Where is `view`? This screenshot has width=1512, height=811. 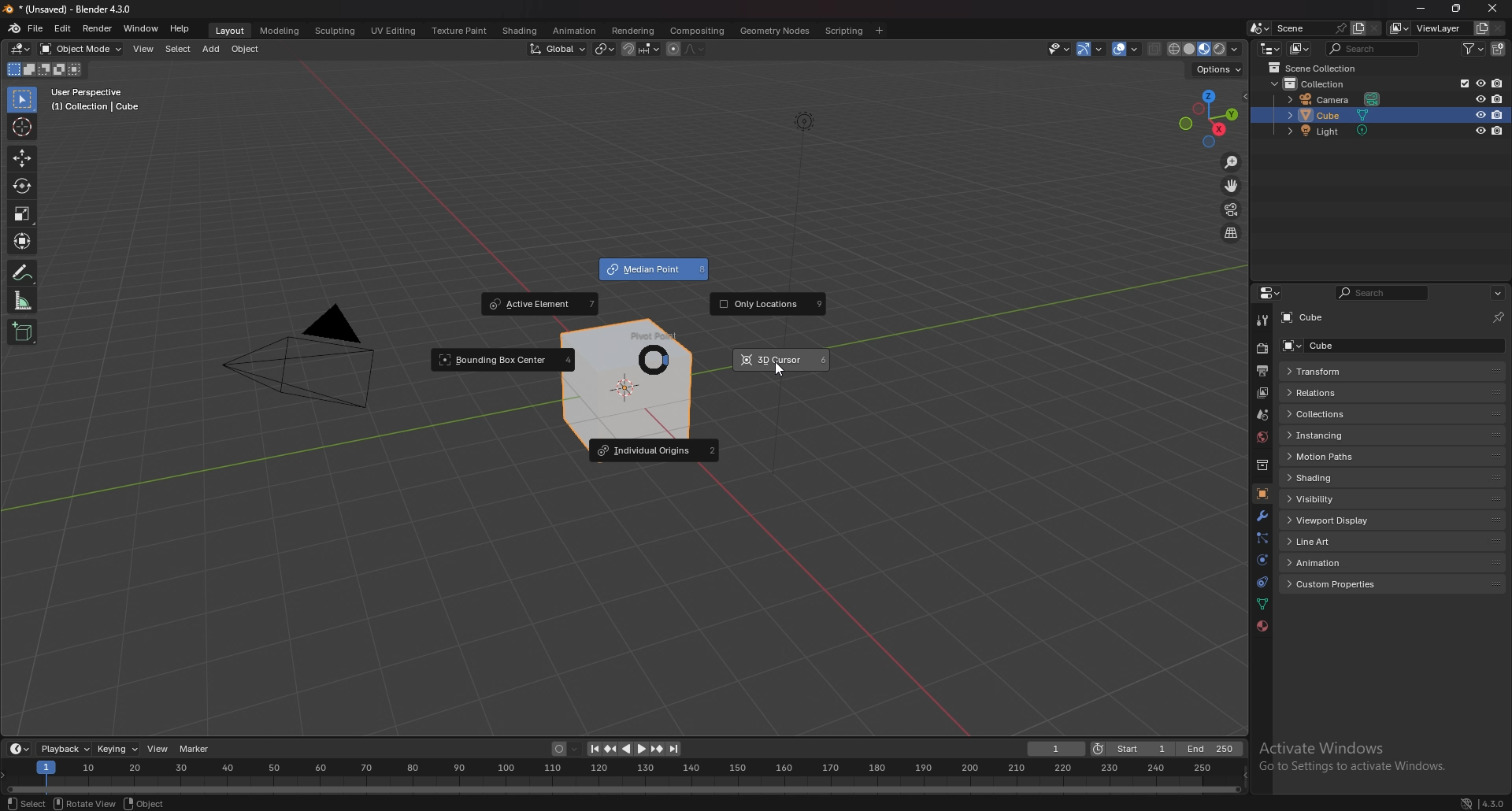
view is located at coordinates (157, 749).